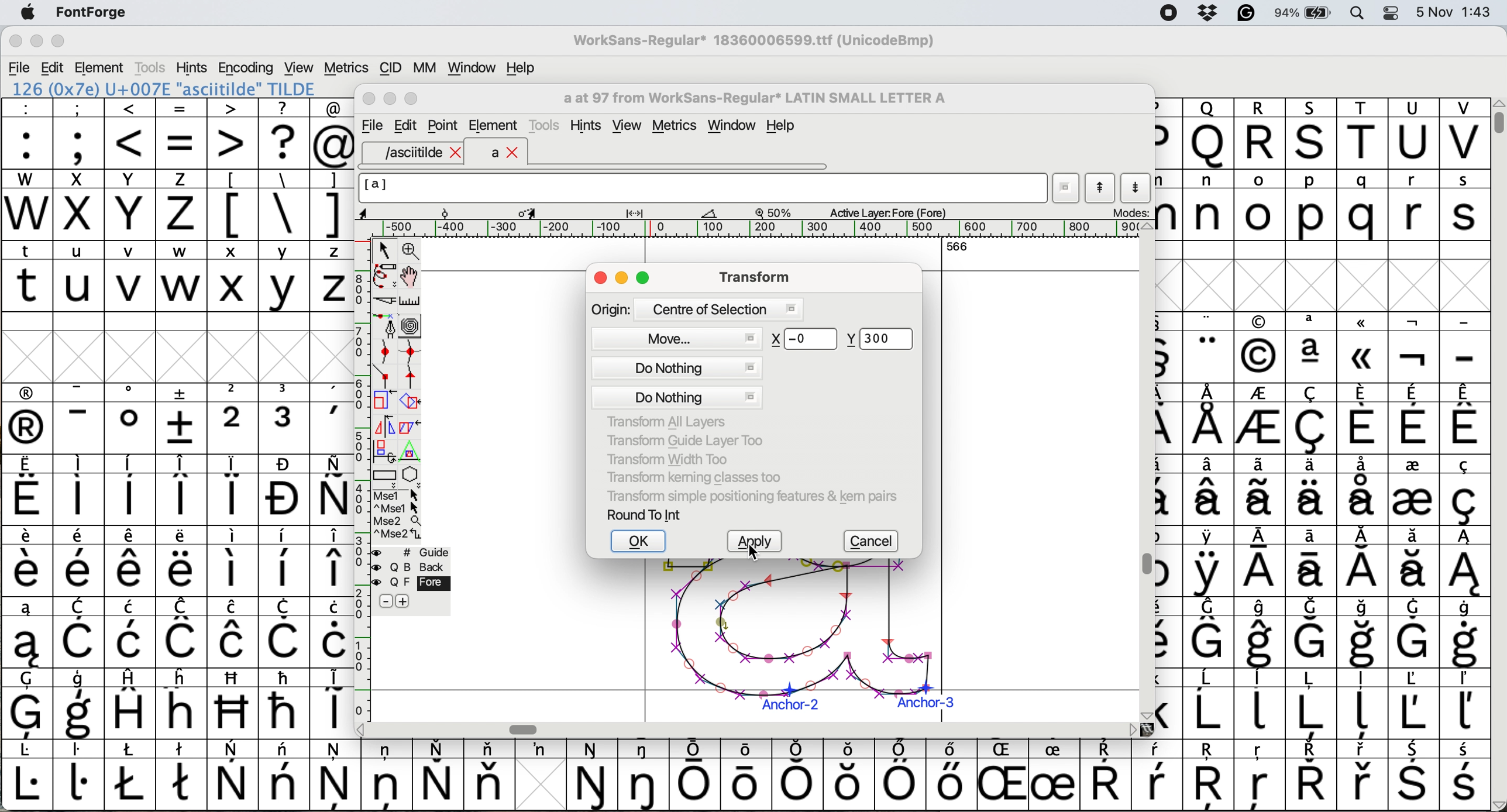 Image resolution: width=1507 pixels, height=812 pixels. I want to click on symbol, so click(285, 490).